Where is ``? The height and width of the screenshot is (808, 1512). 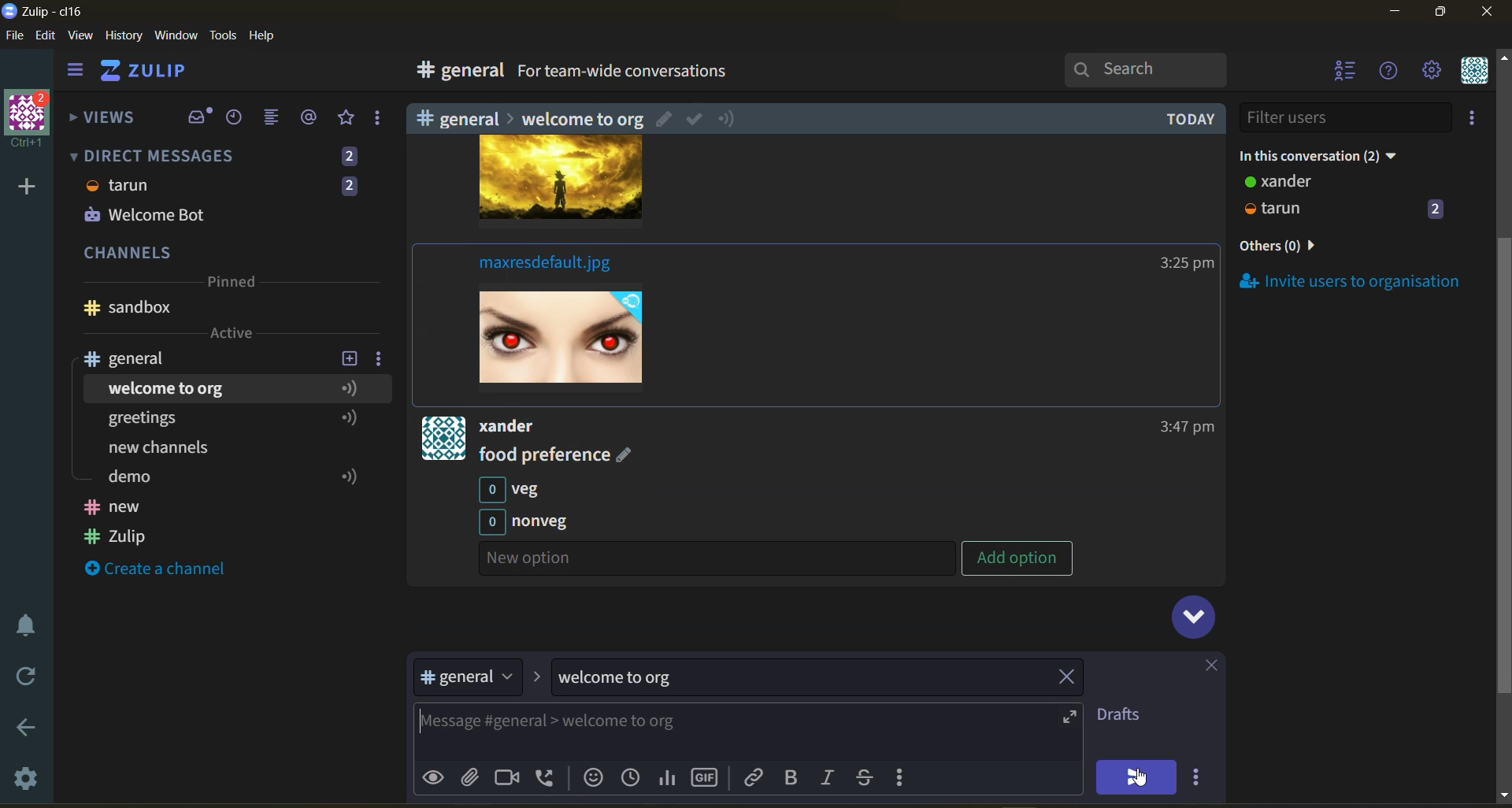  is located at coordinates (1184, 428).